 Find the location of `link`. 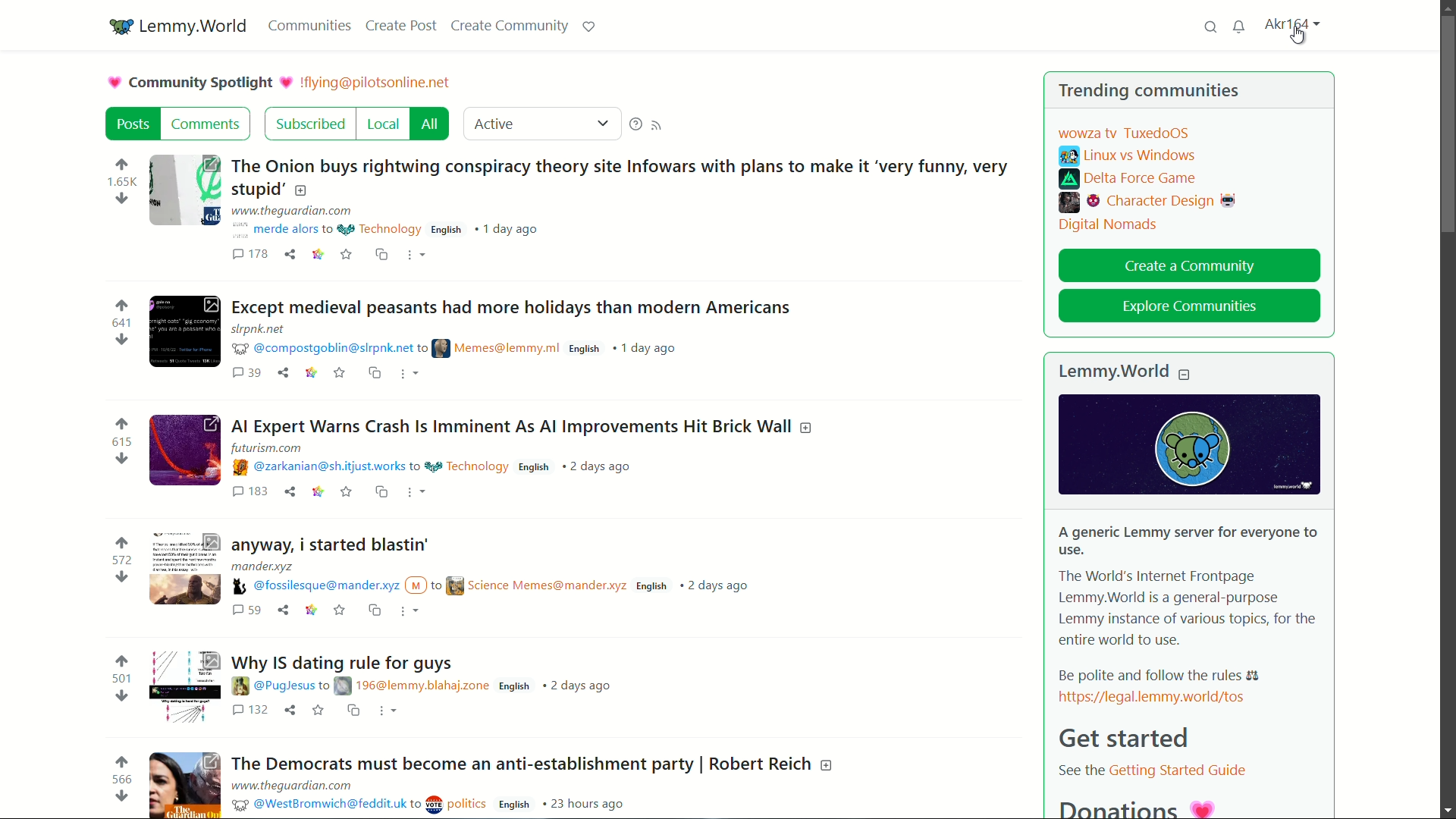

link is located at coordinates (1170, 696).